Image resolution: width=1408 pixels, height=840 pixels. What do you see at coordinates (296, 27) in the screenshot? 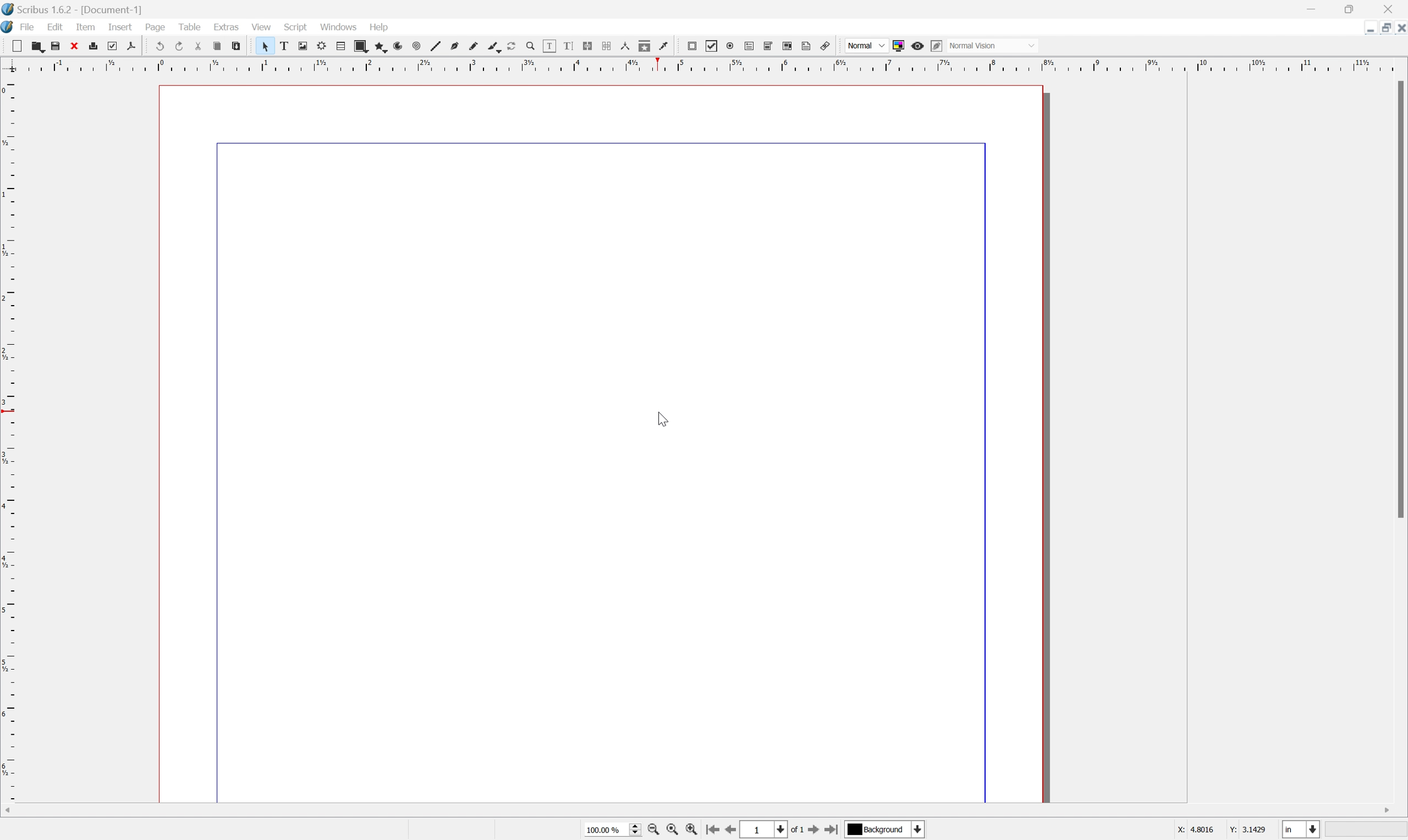
I see `script` at bounding box center [296, 27].